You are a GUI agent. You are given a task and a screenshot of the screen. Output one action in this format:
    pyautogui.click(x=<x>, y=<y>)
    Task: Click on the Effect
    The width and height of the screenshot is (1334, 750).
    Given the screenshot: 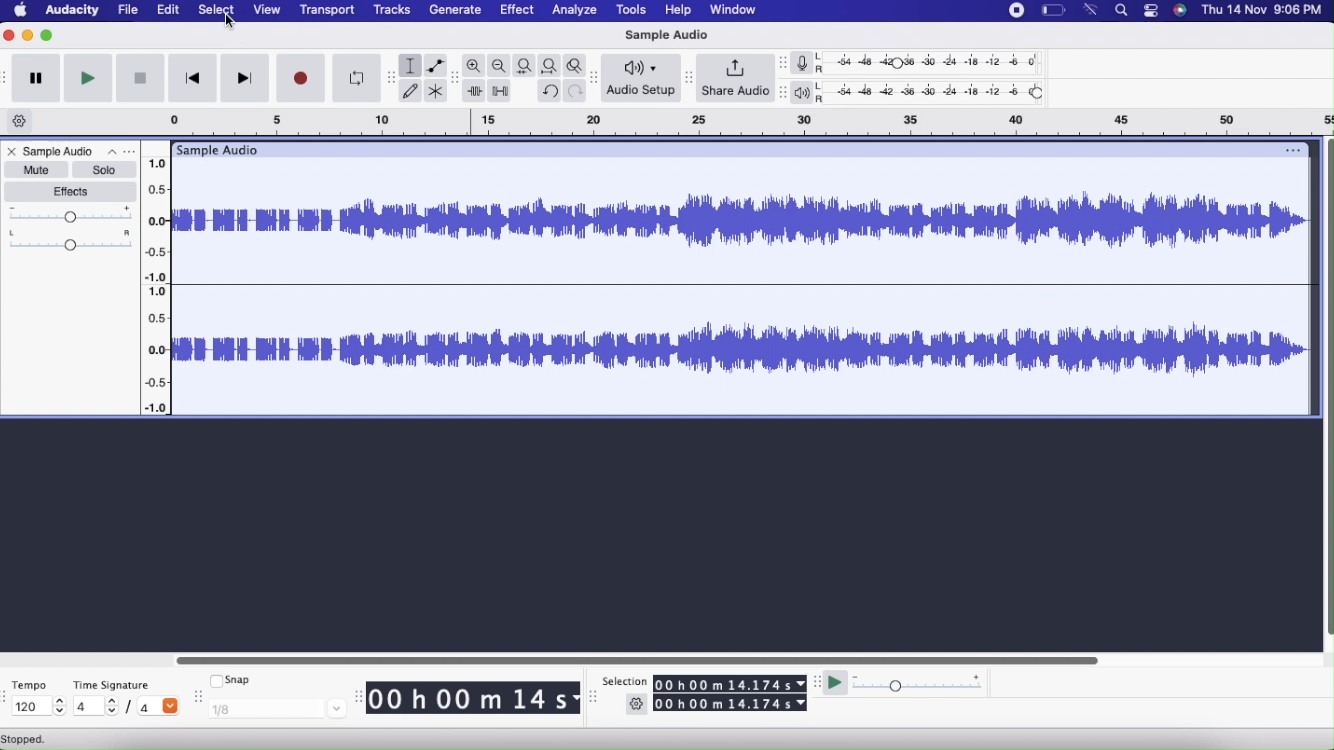 What is the action you would take?
    pyautogui.click(x=516, y=11)
    